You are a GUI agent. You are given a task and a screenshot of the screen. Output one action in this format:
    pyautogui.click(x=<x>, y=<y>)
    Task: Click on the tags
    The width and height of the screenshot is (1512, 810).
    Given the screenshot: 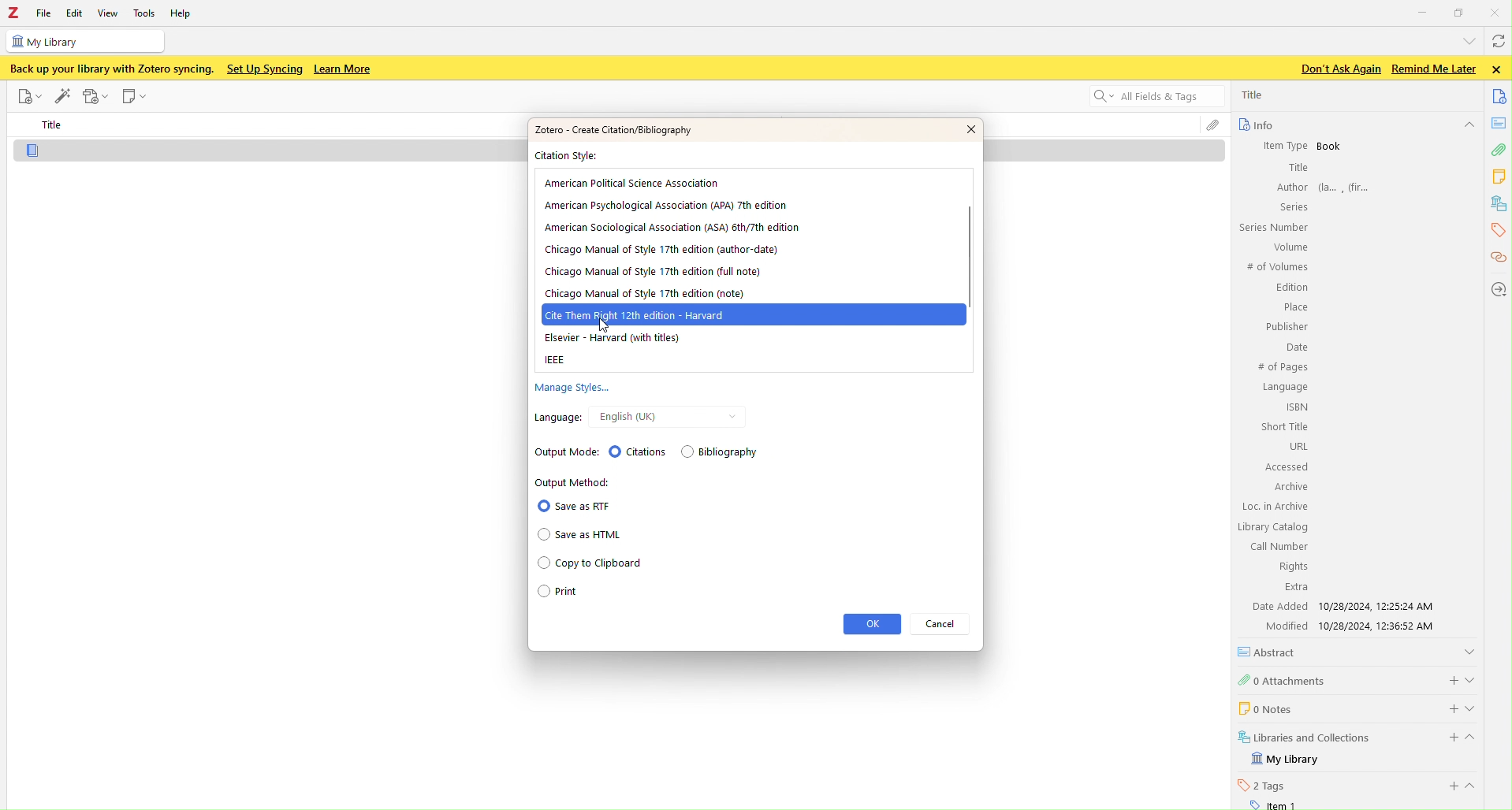 What is the action you would take?
    pyautogui.click(x=1496, y=230)
    